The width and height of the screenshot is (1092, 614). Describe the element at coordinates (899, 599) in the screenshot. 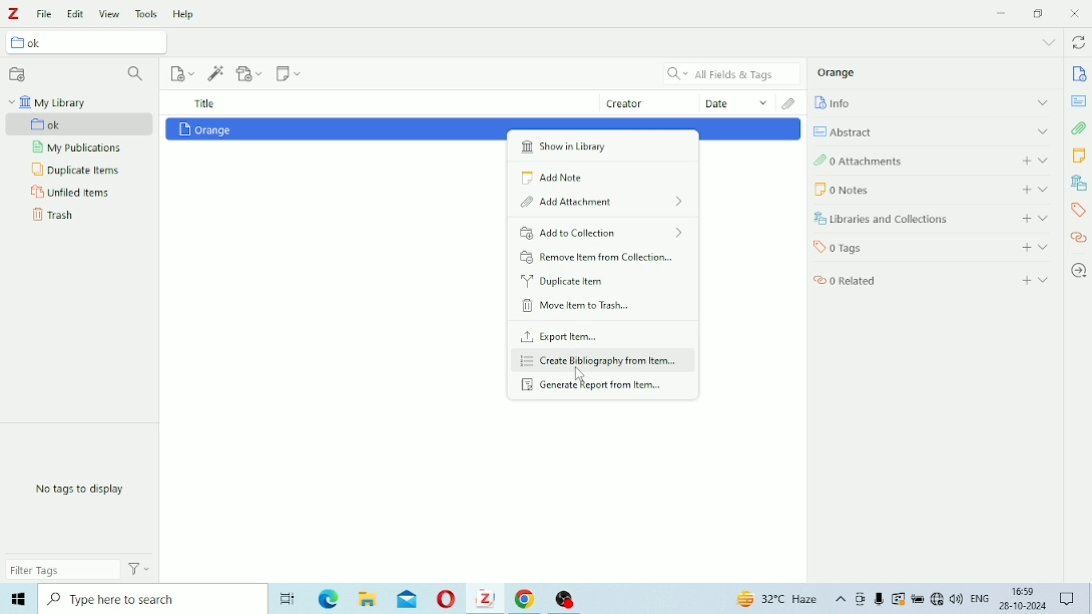

I see `Warning` at that location.